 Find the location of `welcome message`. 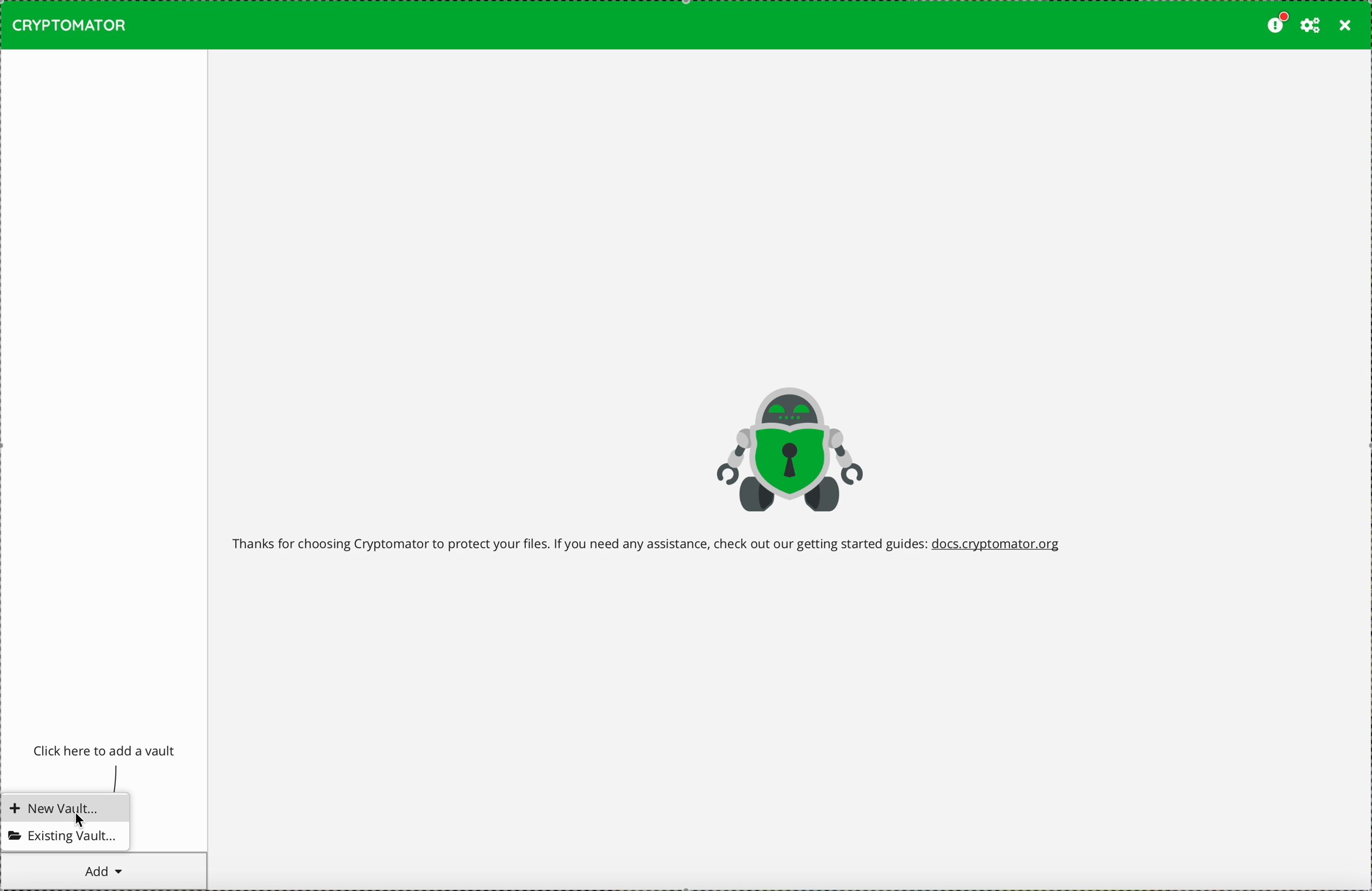

welcome message is located at coordinates (646, 544).